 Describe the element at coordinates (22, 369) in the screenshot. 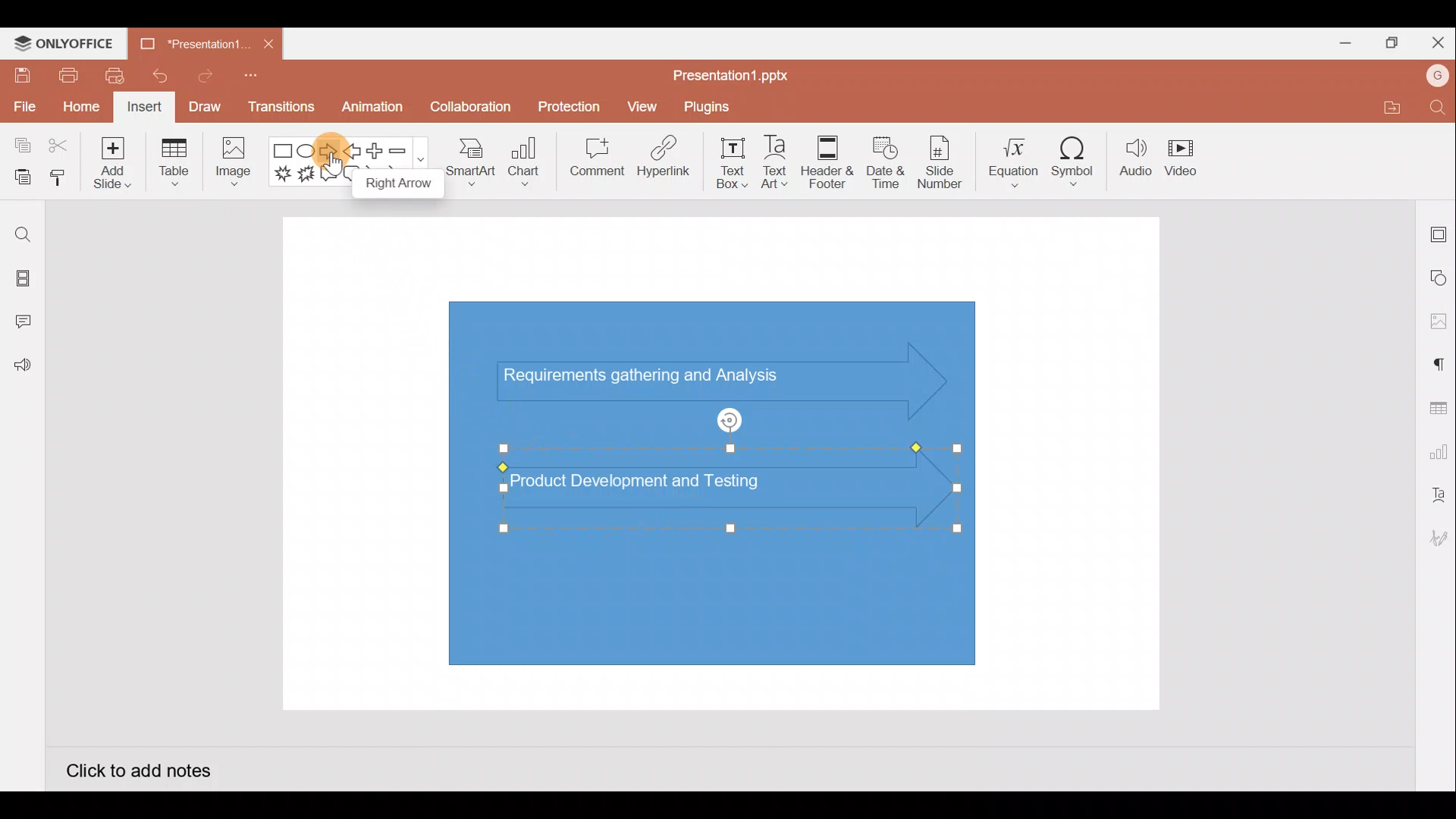

I see `Feedback and Support` at that location.